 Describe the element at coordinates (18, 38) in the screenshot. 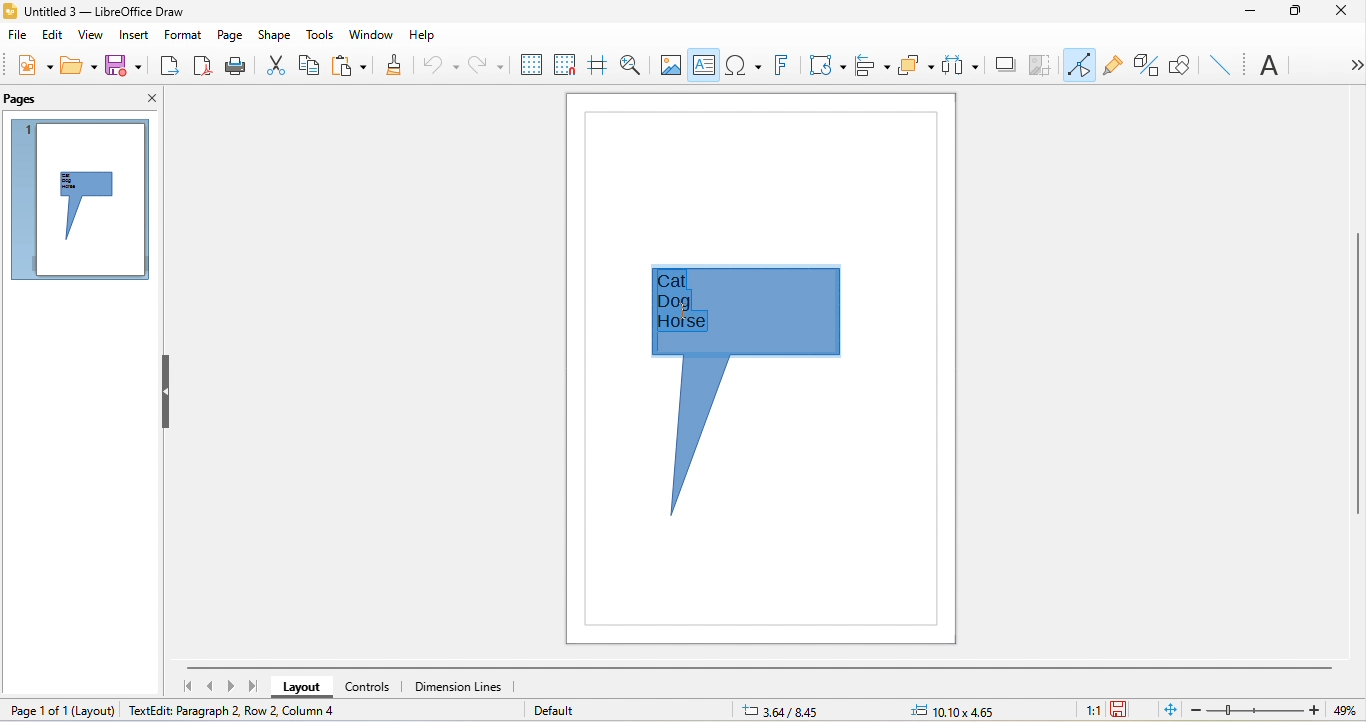

I see `file` at that location.